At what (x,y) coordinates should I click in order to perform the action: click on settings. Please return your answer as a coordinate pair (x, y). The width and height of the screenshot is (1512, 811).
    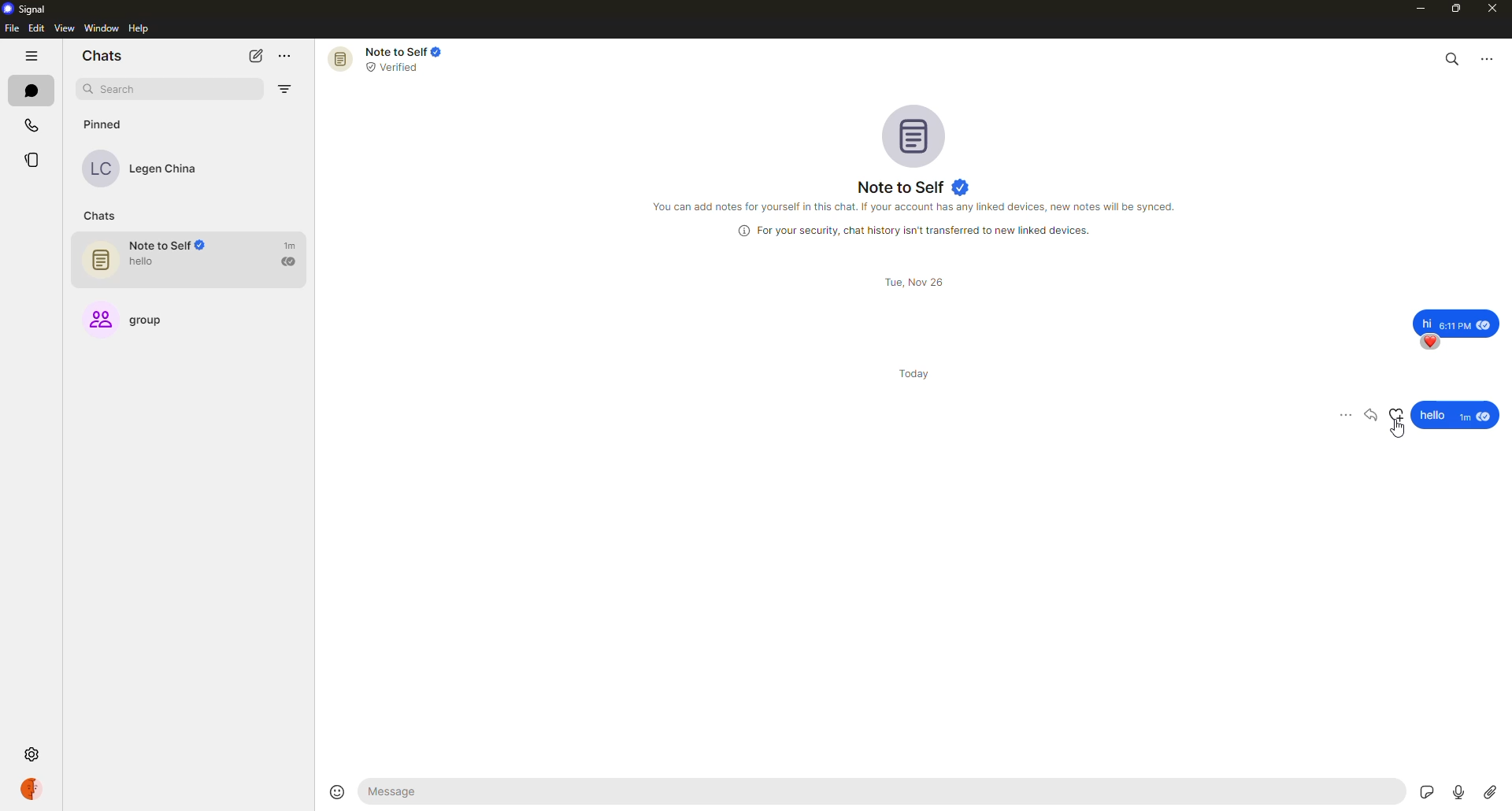
    Looking at the image, I should click on (30, 755).